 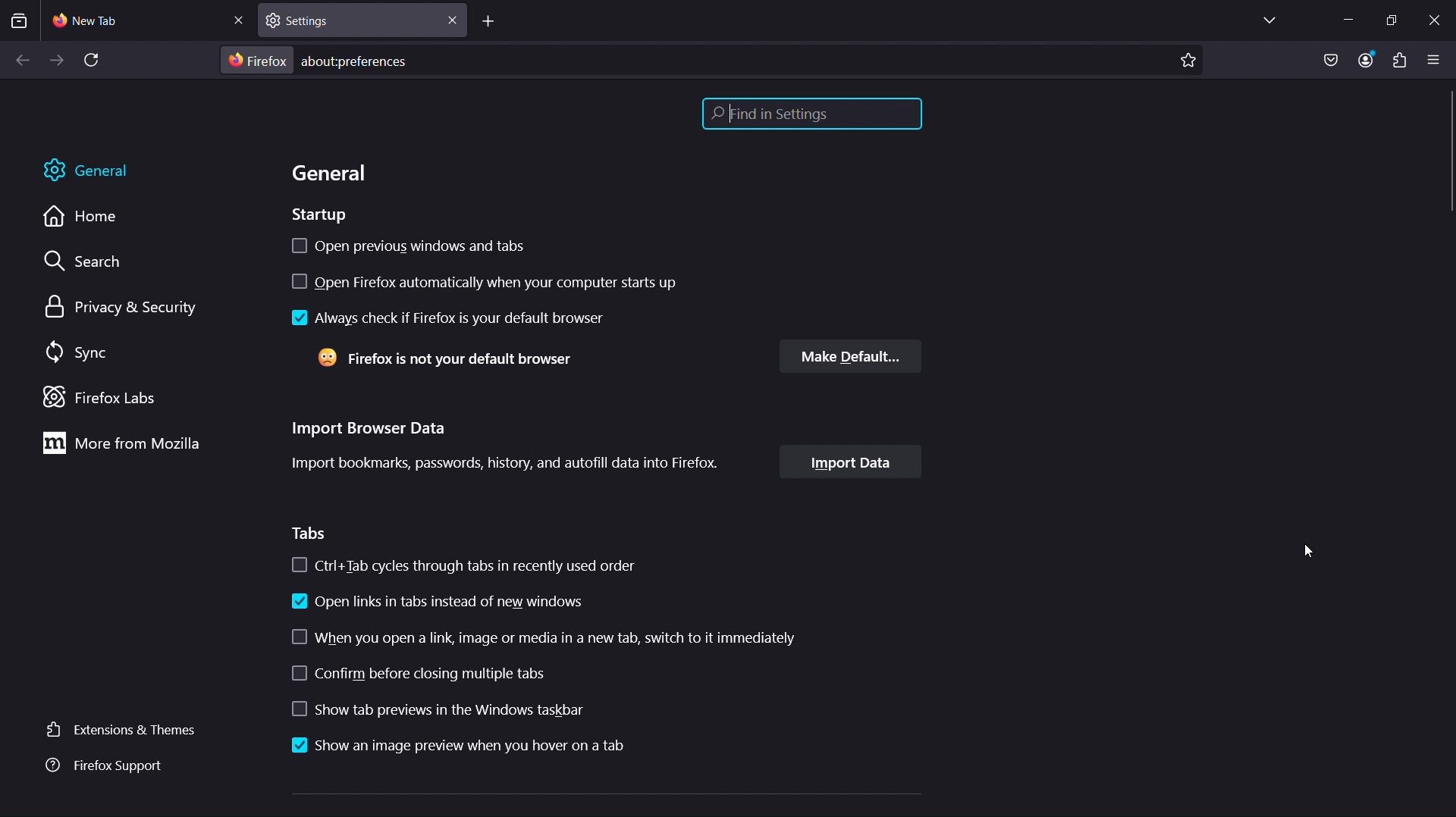 I want to click on Open application menu, so click(x=1437, y=59).